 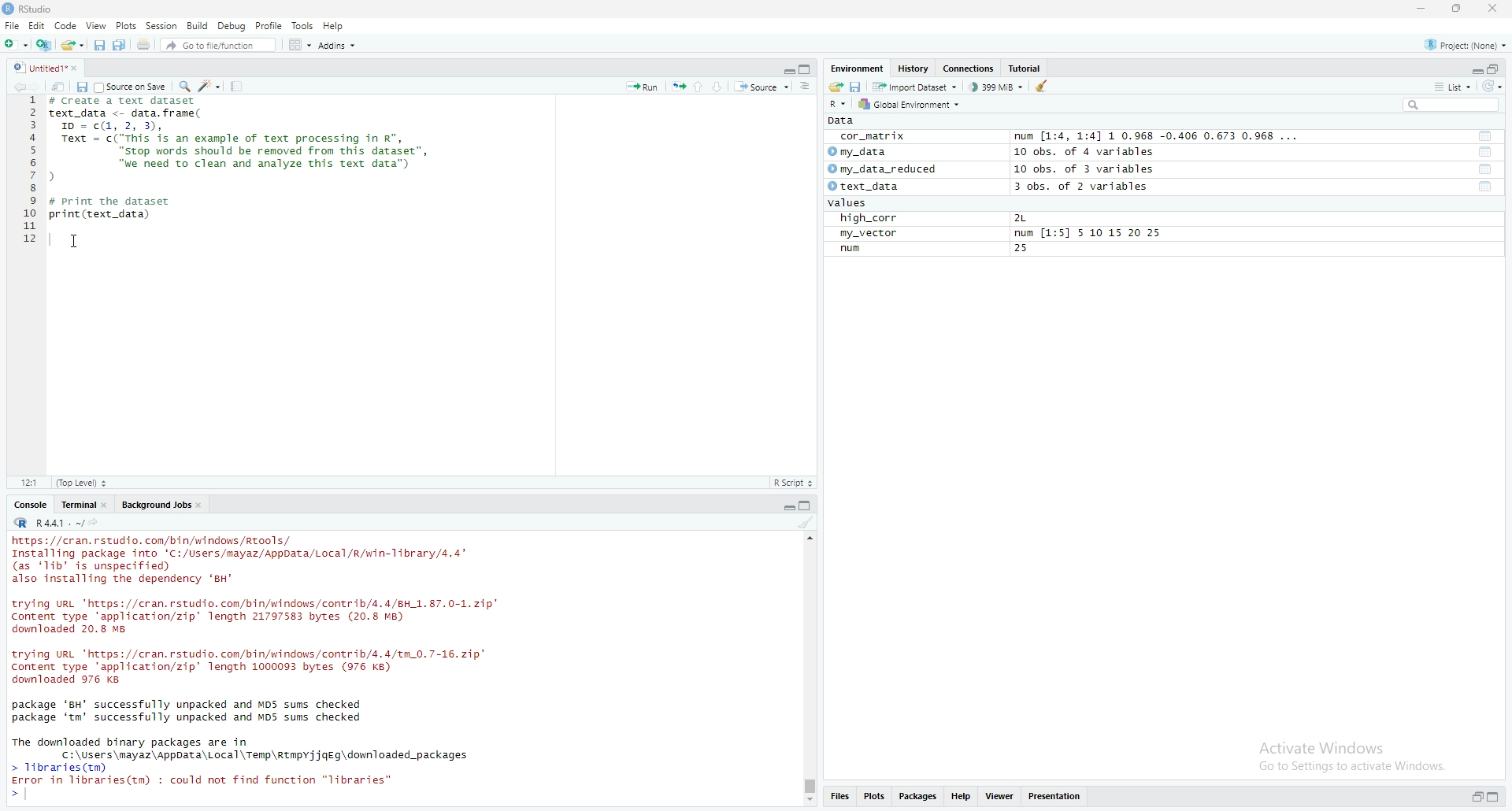 I want to click on go to next section, so click(x=721, y=85).